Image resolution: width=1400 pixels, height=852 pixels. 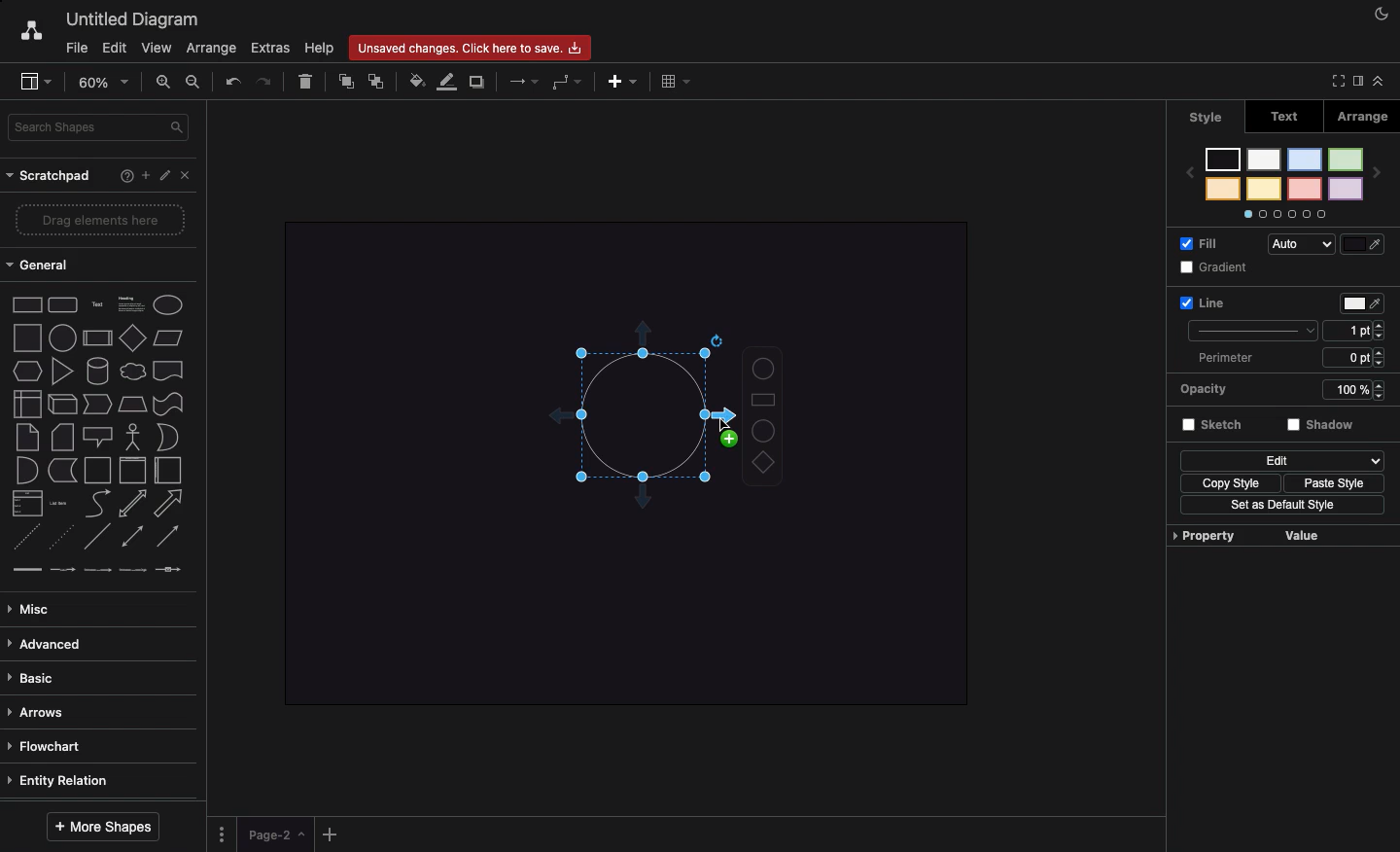 I want to click on Shapes, so click(x=762, y=417).